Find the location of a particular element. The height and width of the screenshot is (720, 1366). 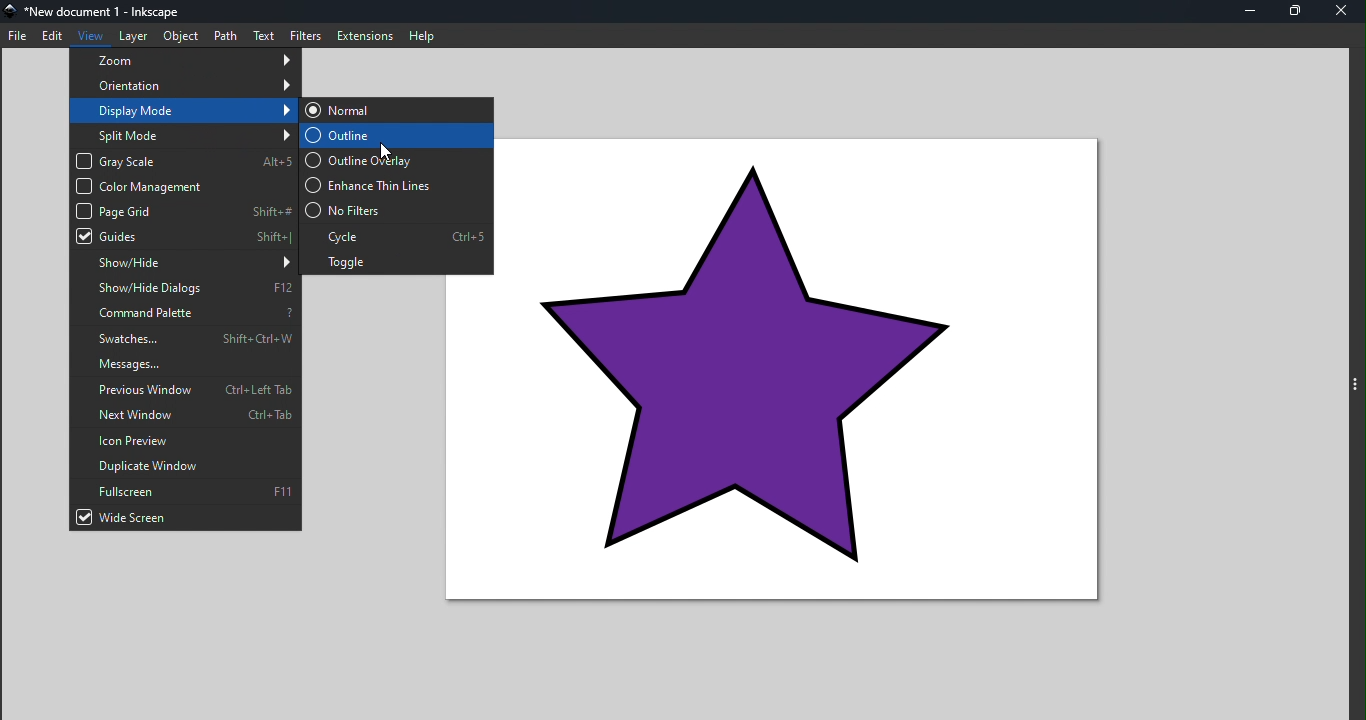

Display mode is located at coordinates (182, 110).